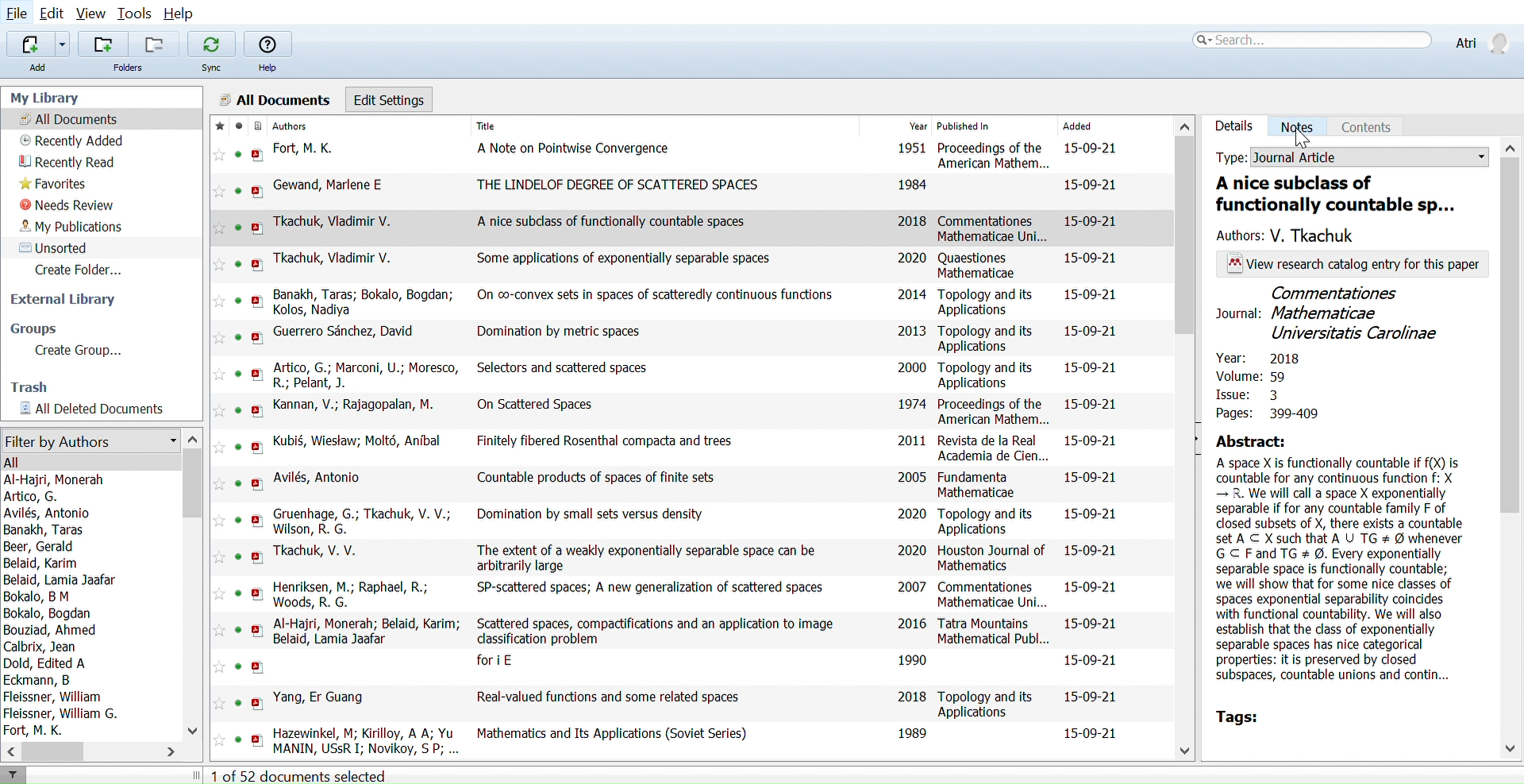 The width and height of the screenshot is (1524, 784). Describe the element at coordinates (1356, 313) in the screenshot. I see `Commentationes Mathematicae Universitatis Carolinae` at that location.